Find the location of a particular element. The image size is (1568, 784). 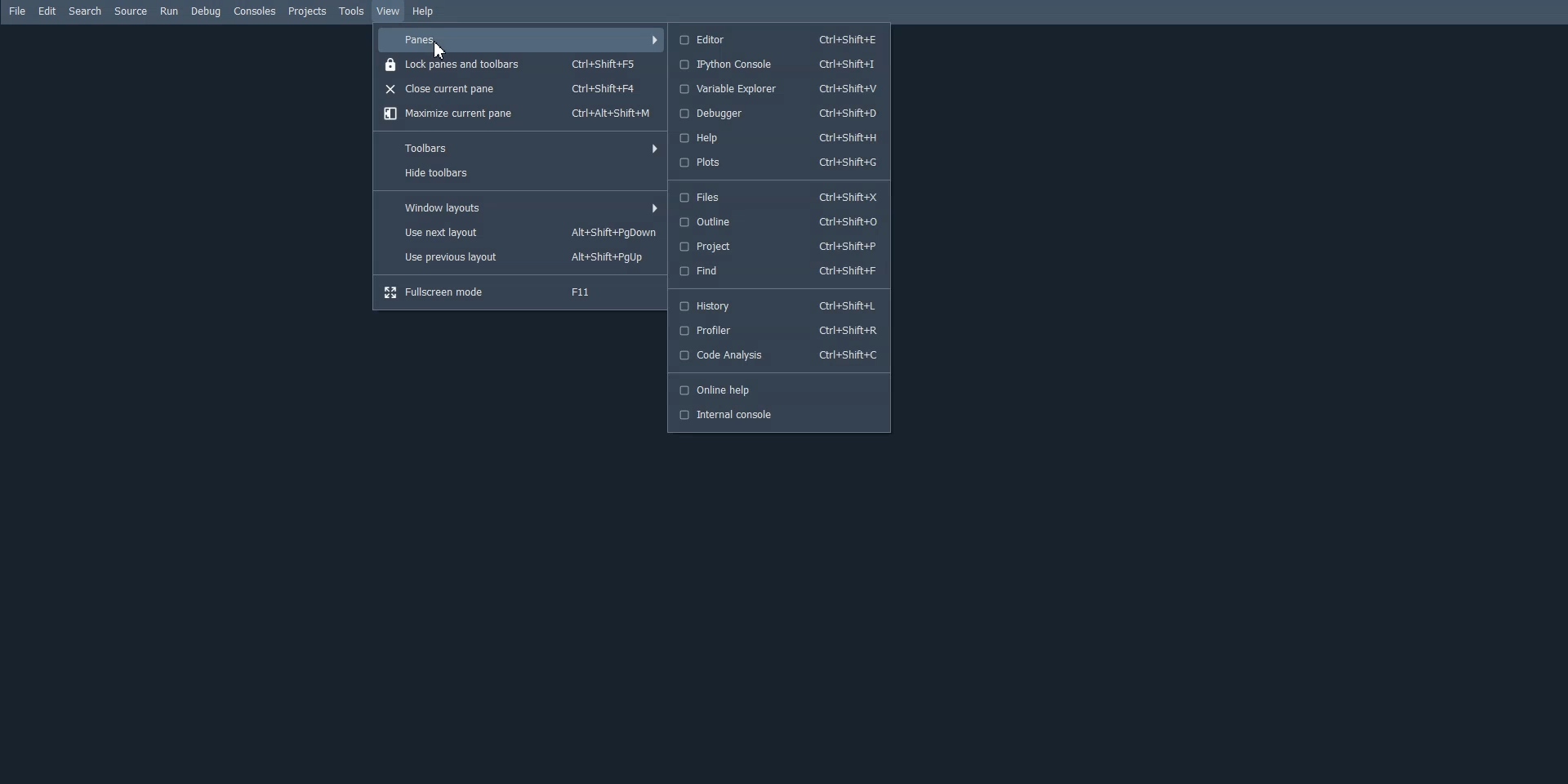

Tools is located at coordinates (352, 11).